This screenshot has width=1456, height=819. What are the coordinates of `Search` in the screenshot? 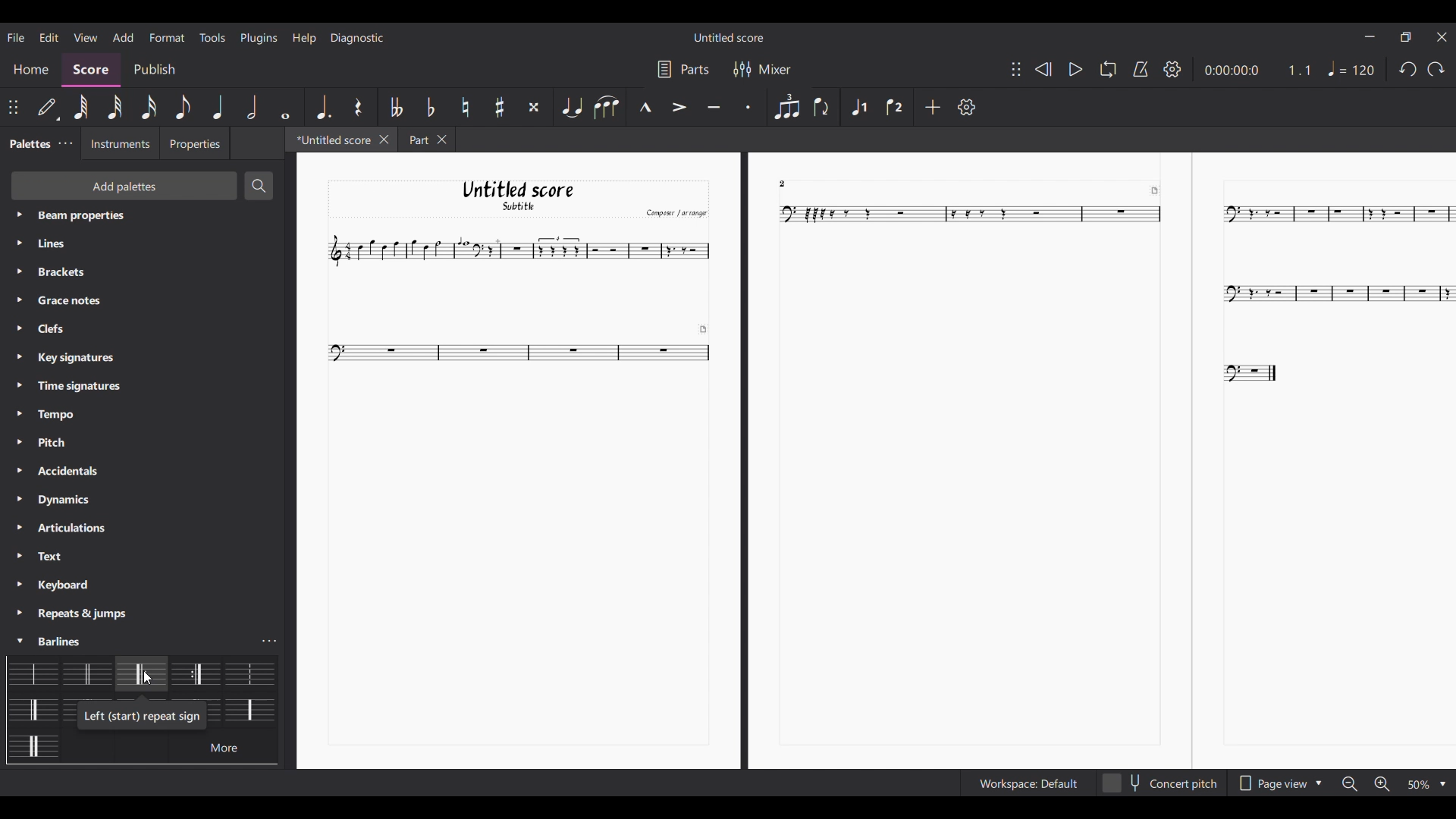 It's located at (259, 185).